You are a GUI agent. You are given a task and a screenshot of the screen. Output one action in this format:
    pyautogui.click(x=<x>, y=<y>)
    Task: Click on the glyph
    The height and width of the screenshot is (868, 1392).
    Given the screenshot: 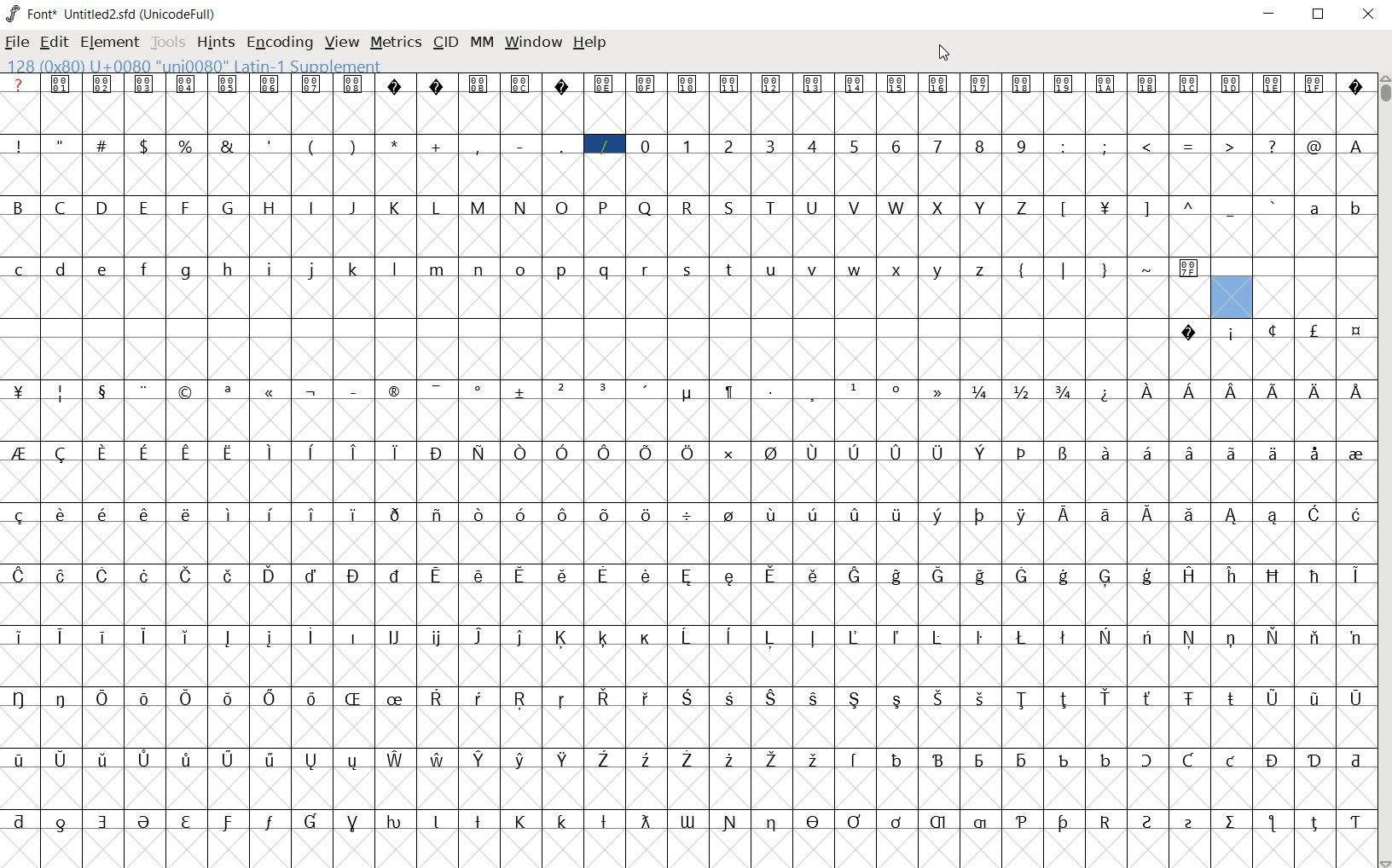 What is the action you would take?
    pyautogui.click(x=1274, y=636)
    